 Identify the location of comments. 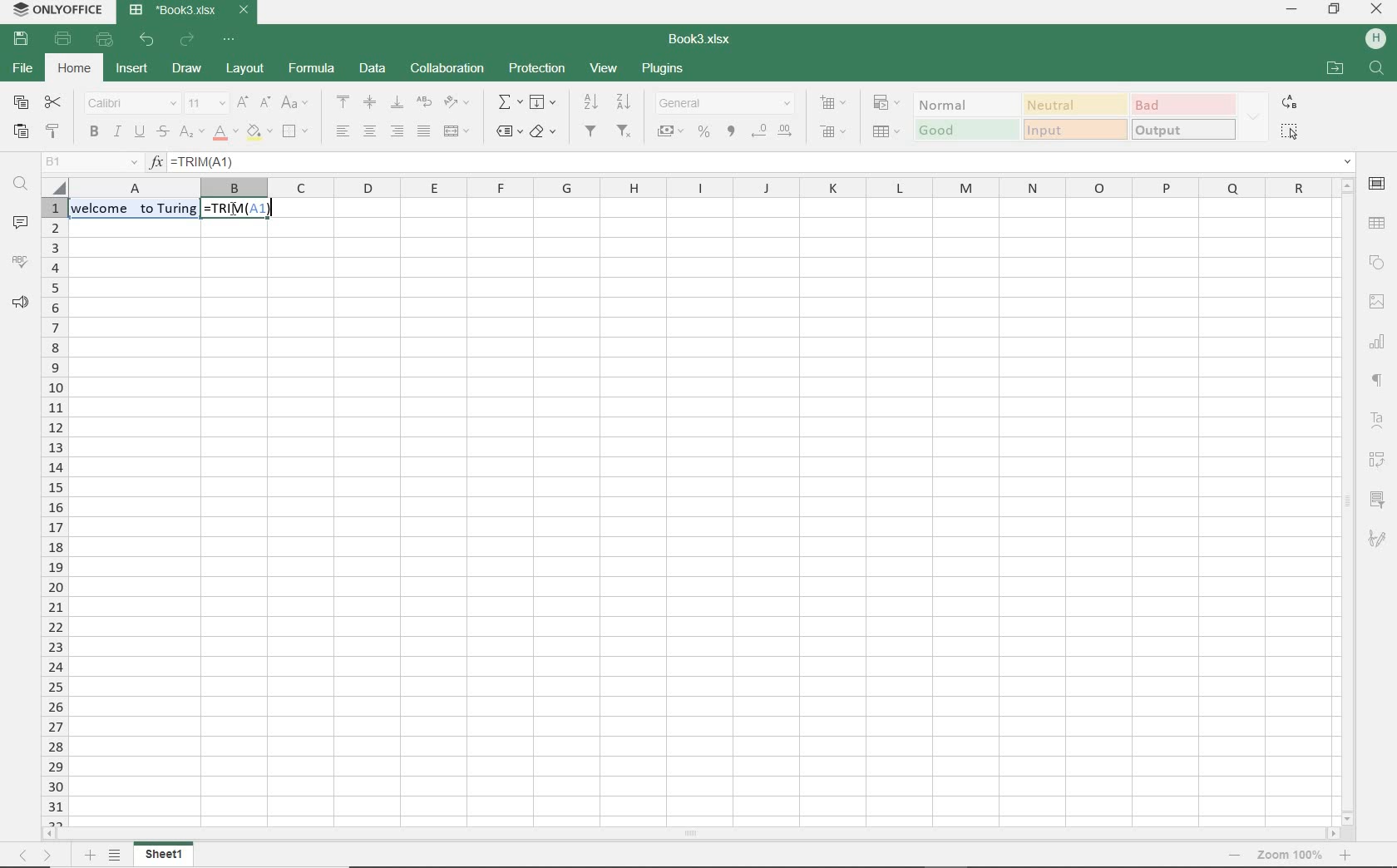
(20, 223).